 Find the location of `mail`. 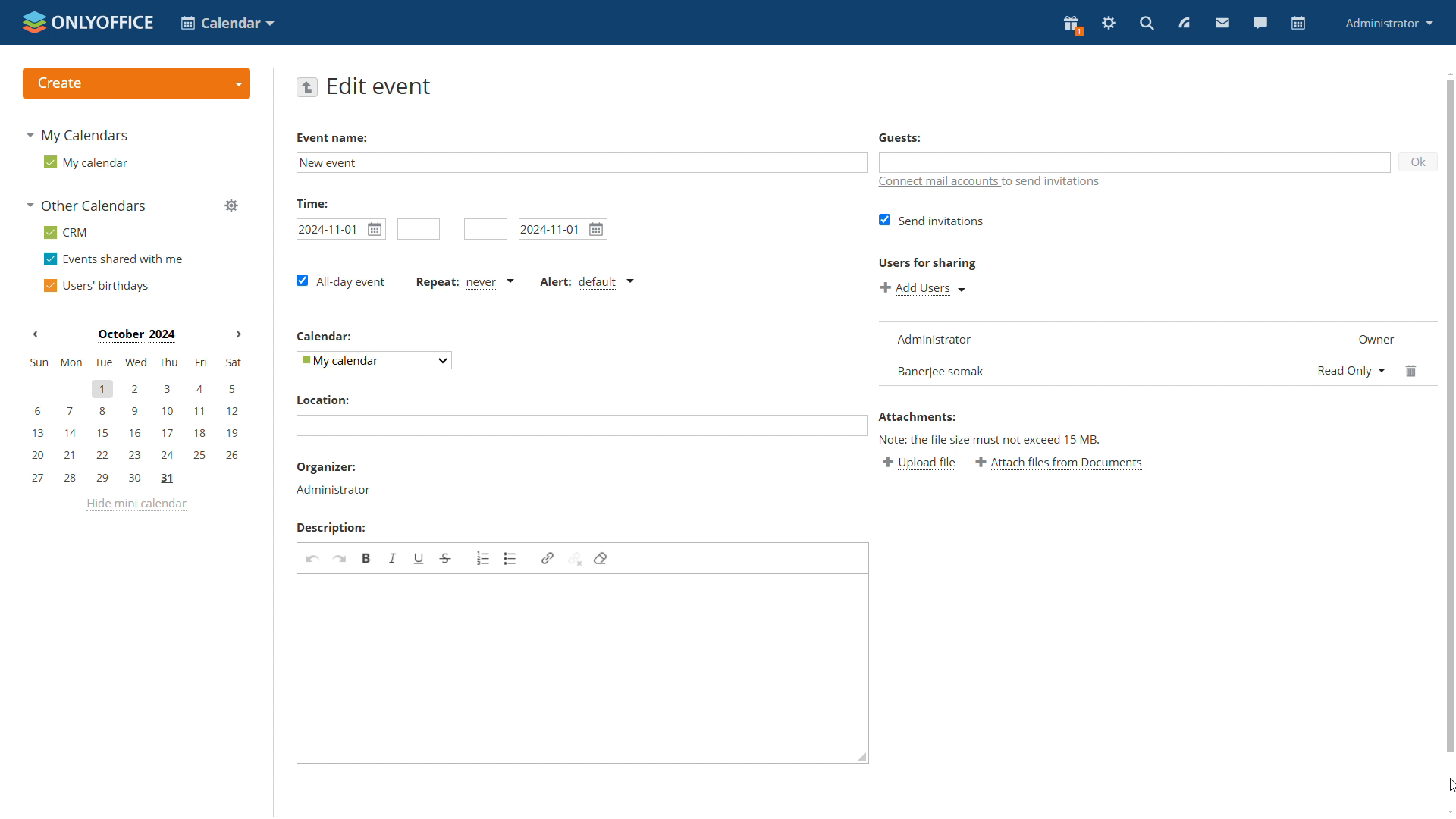

mail is located at coordinates (1221, 23).